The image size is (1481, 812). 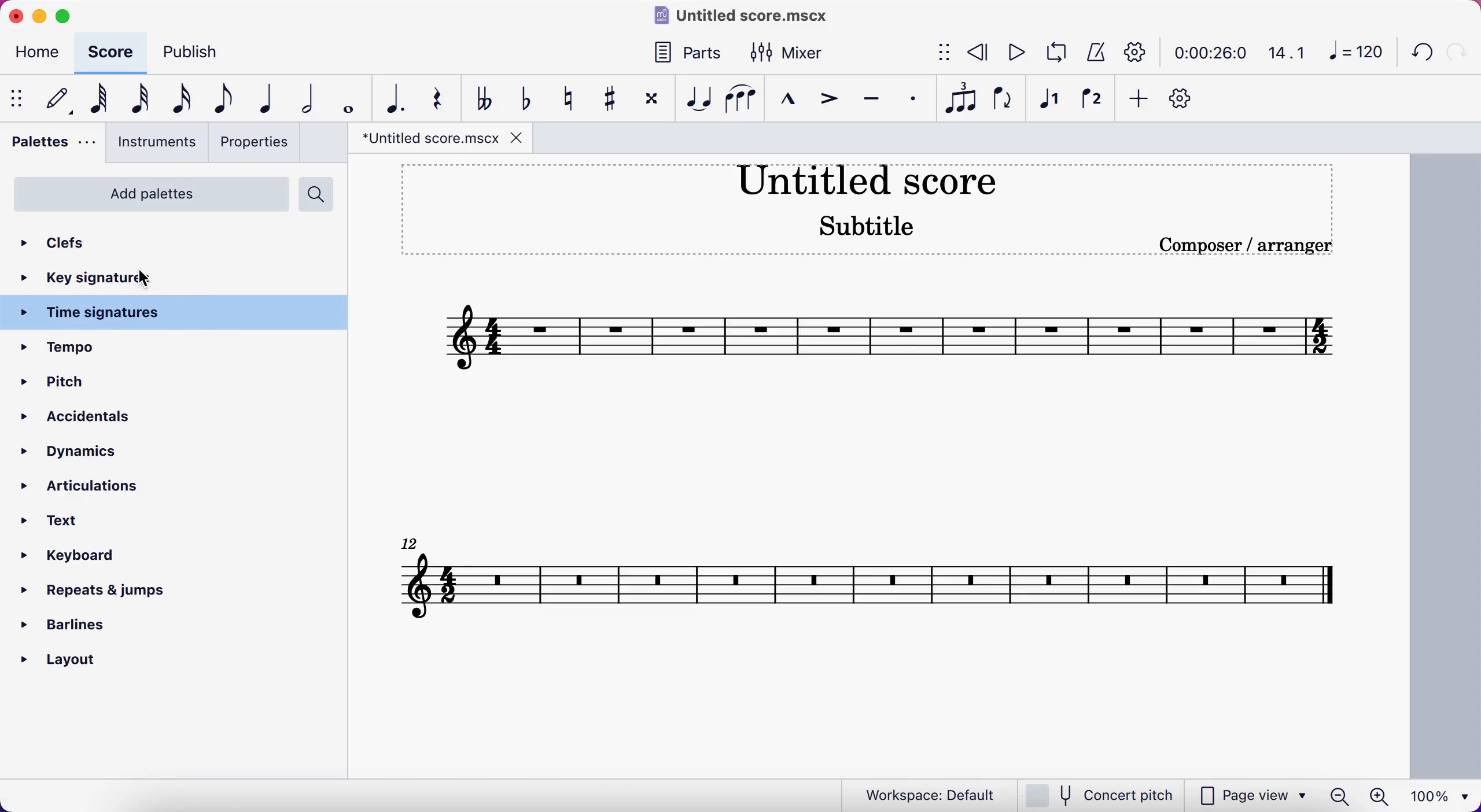 I want to click on parts, so click(x=691, y=54).